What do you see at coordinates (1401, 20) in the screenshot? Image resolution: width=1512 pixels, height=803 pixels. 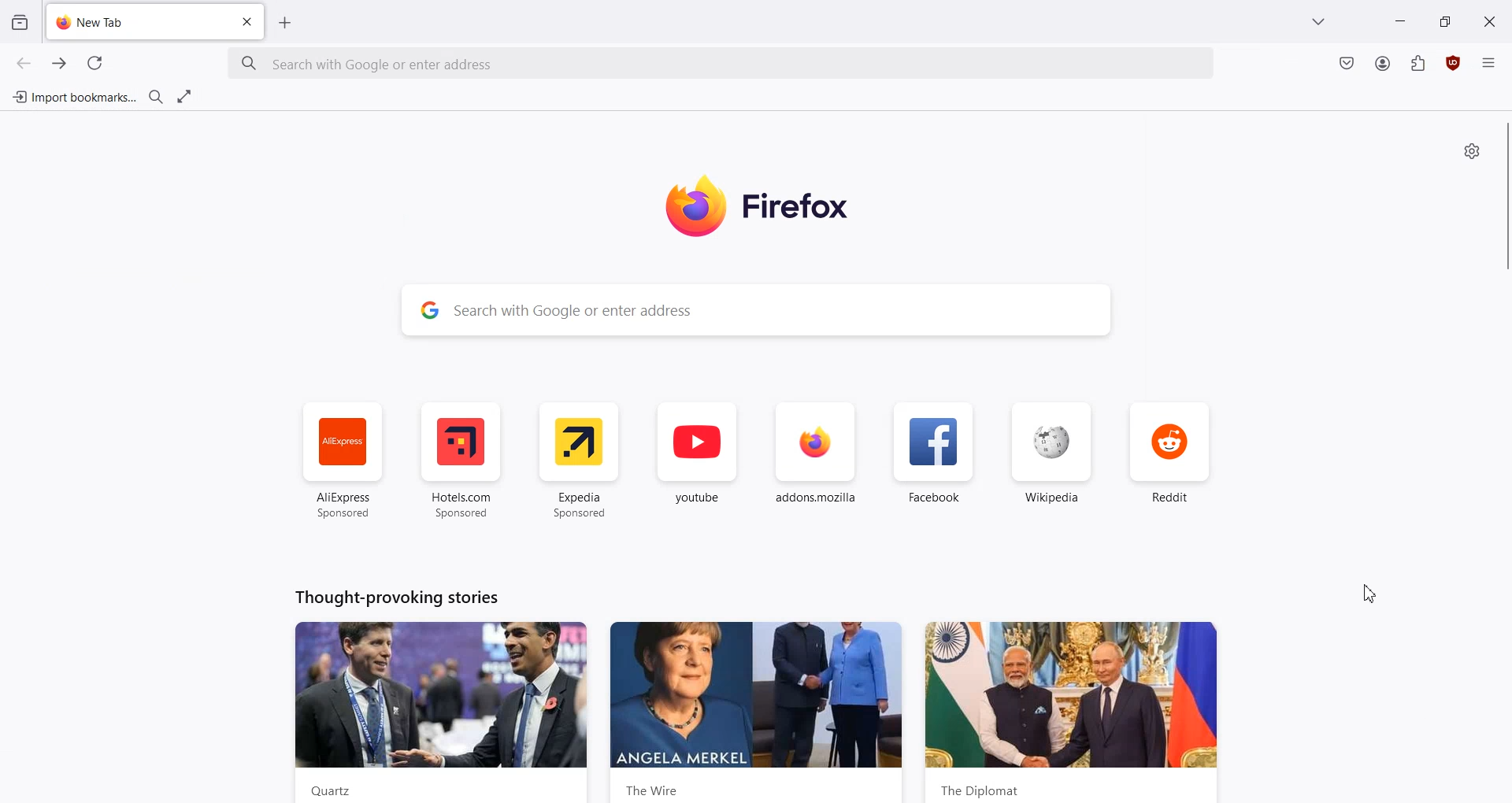 I see `Minimize` at bounding box center [1401, 20].